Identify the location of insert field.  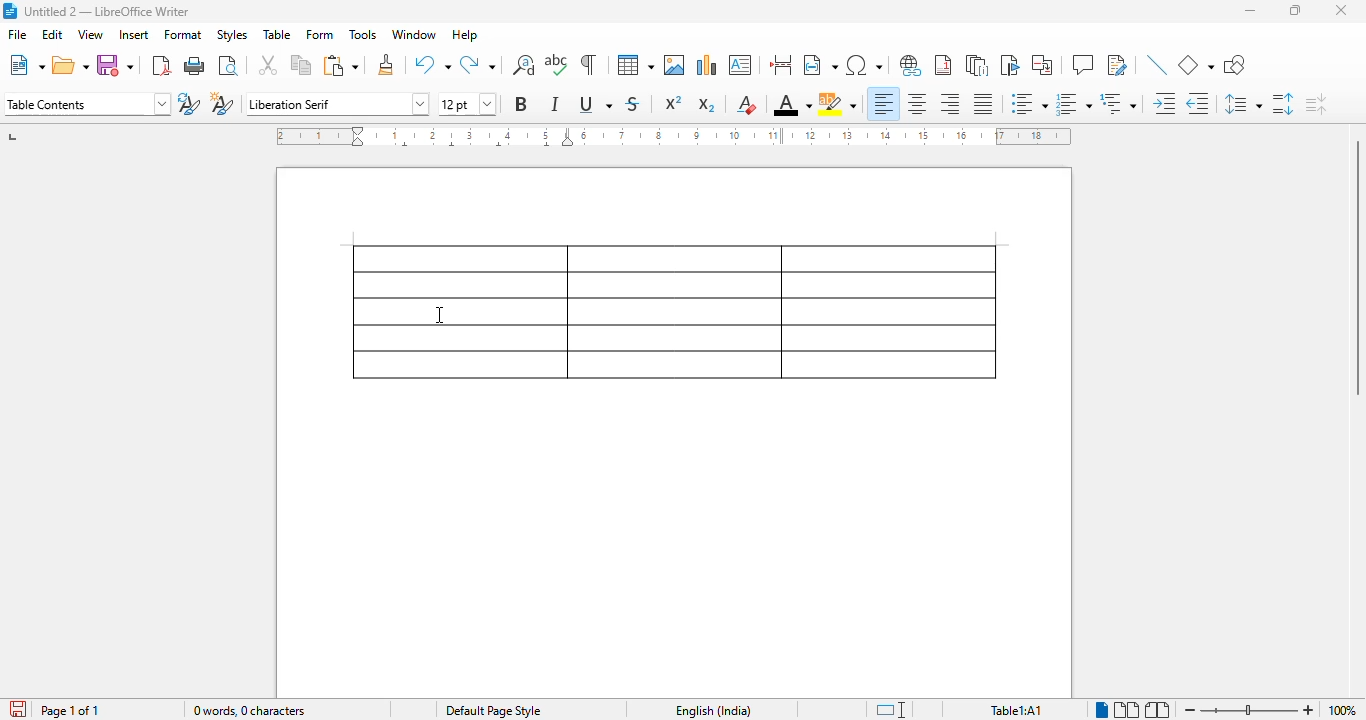
(820, 64).